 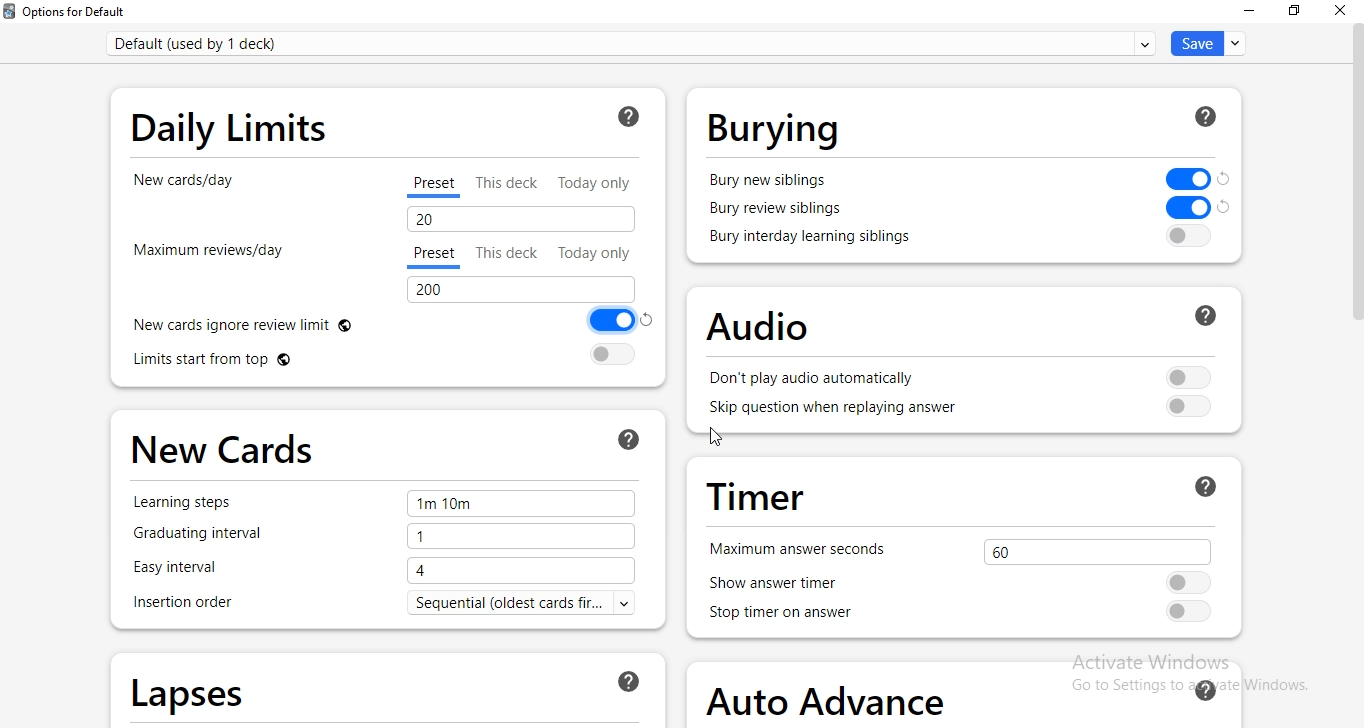 What do you see at coordinates (235, 126) in the screenshot?
I see `daily limits` at bounding box center [235, 126].